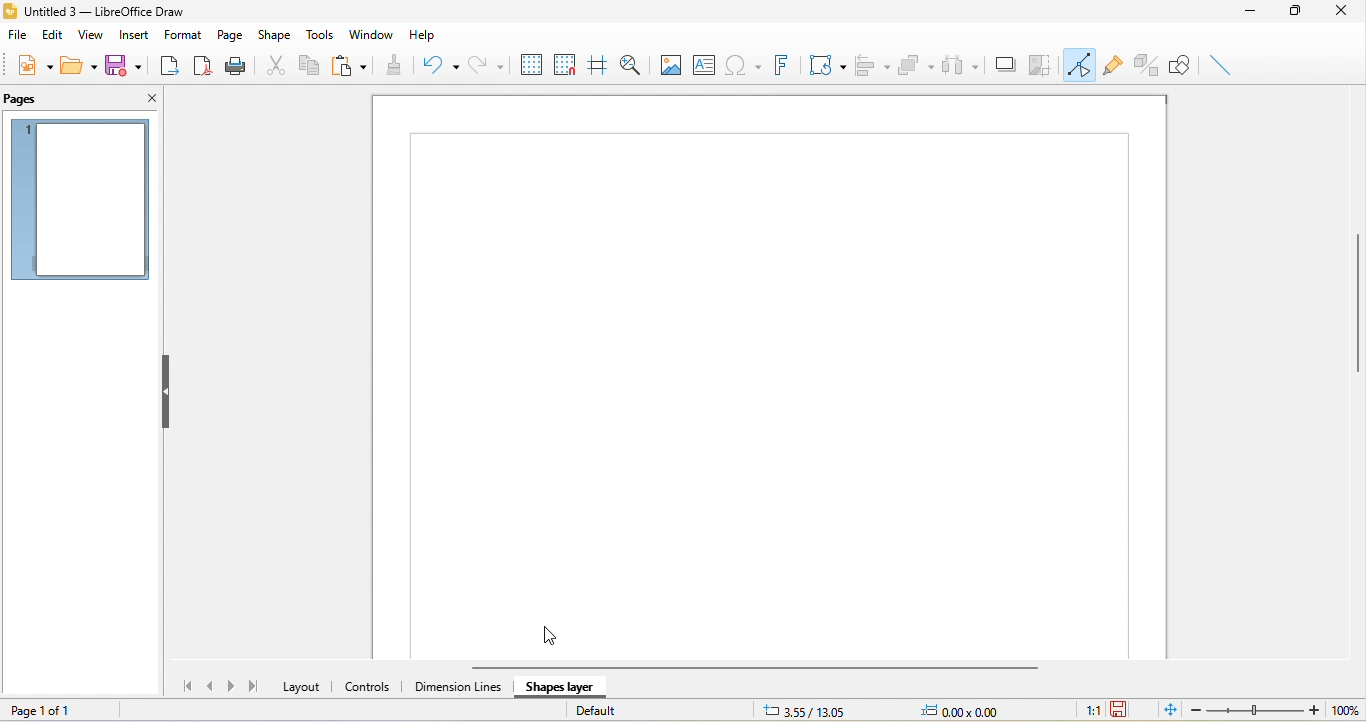  What do you see at coordinates (566, 685) in the screenshot?
I see `added  name shapes layer` at bounding box center [566, 685].